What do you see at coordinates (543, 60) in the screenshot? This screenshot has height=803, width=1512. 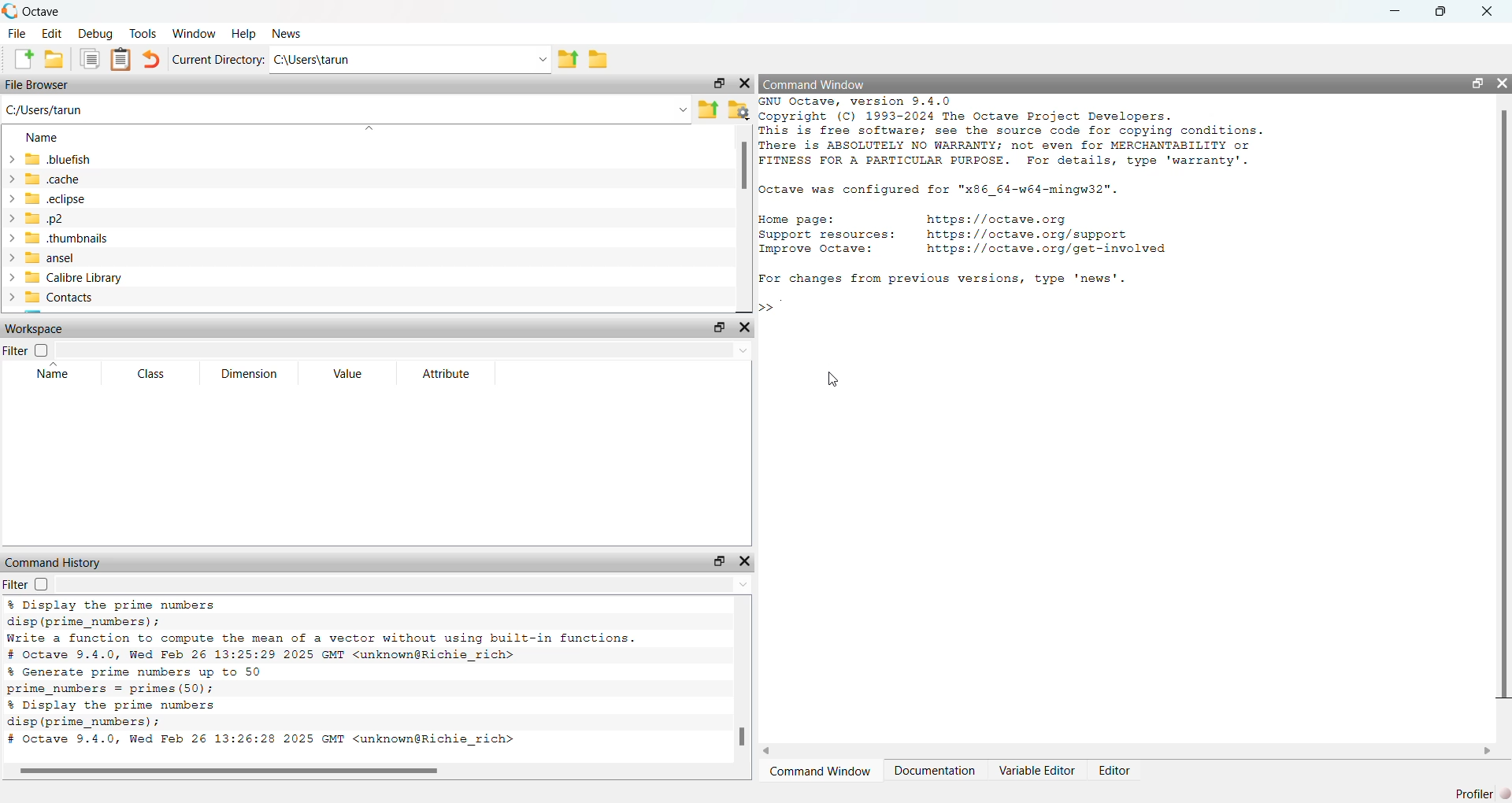 I see `Drop-down ` at bounding box center [543, 60].